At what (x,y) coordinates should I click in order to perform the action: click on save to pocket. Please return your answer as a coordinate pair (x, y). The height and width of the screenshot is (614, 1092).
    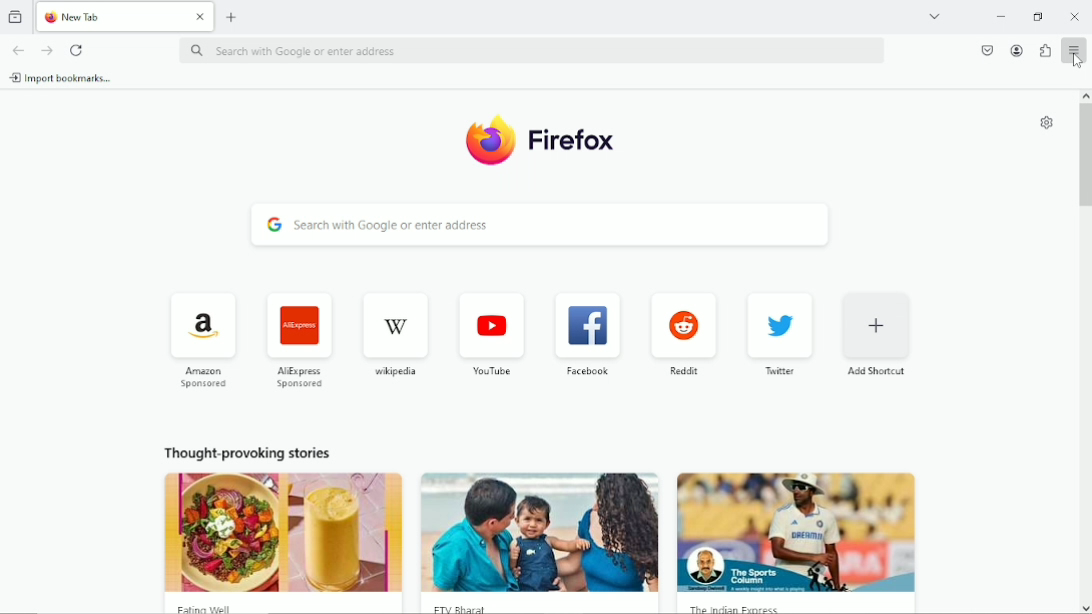
    Looking at the image, I should click on (985, 49).